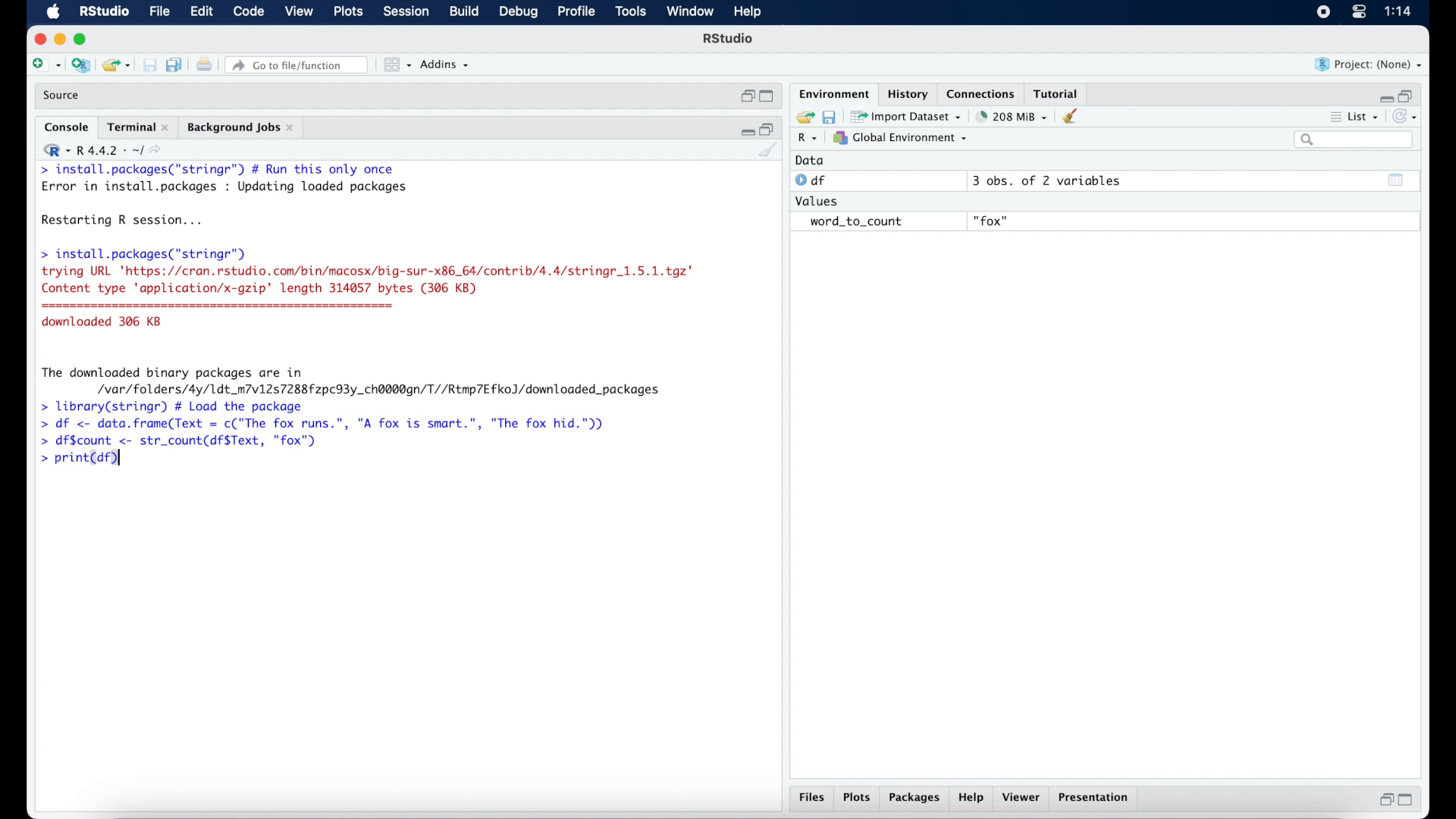  Describe the element at coordinates (1356, 118) in the screenshot. I see `list` at that location.